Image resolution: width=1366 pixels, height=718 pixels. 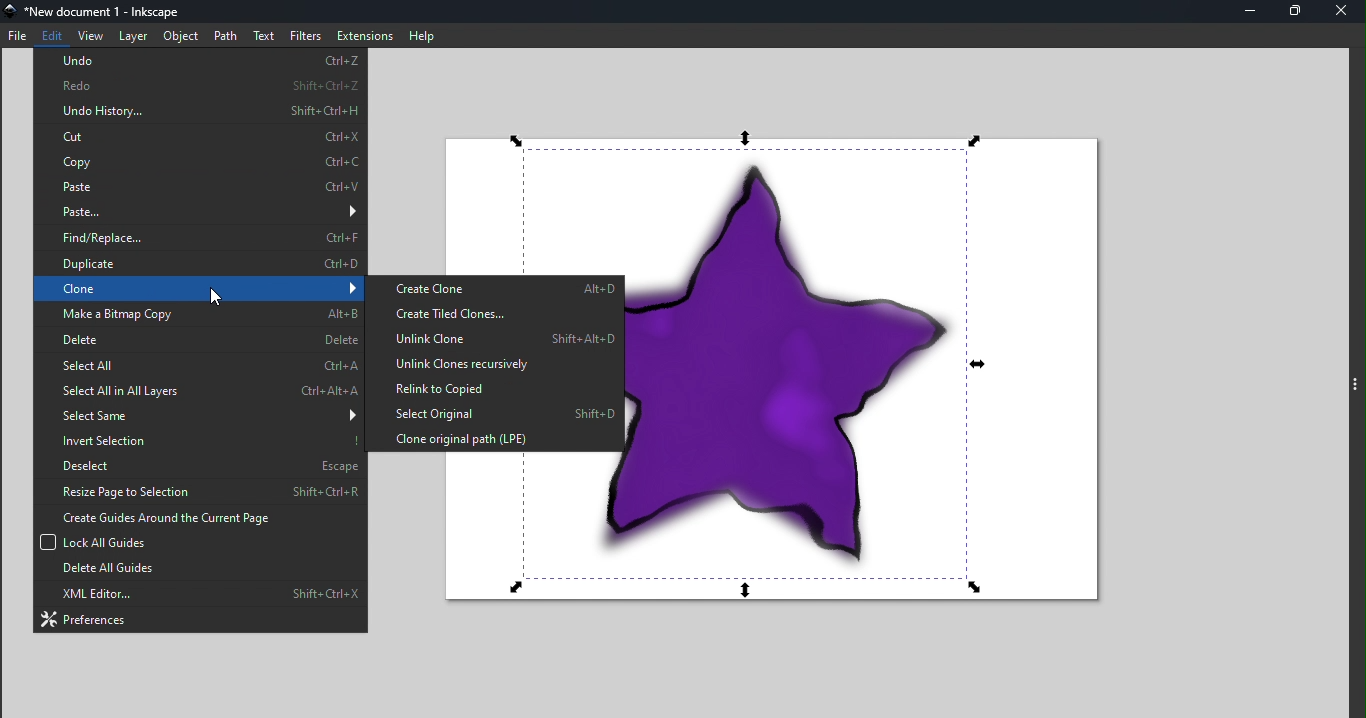 What do you see at coordinates (196, 542) in the screenshot?
I see `Lock all guides` at bounding box center [196, 542].